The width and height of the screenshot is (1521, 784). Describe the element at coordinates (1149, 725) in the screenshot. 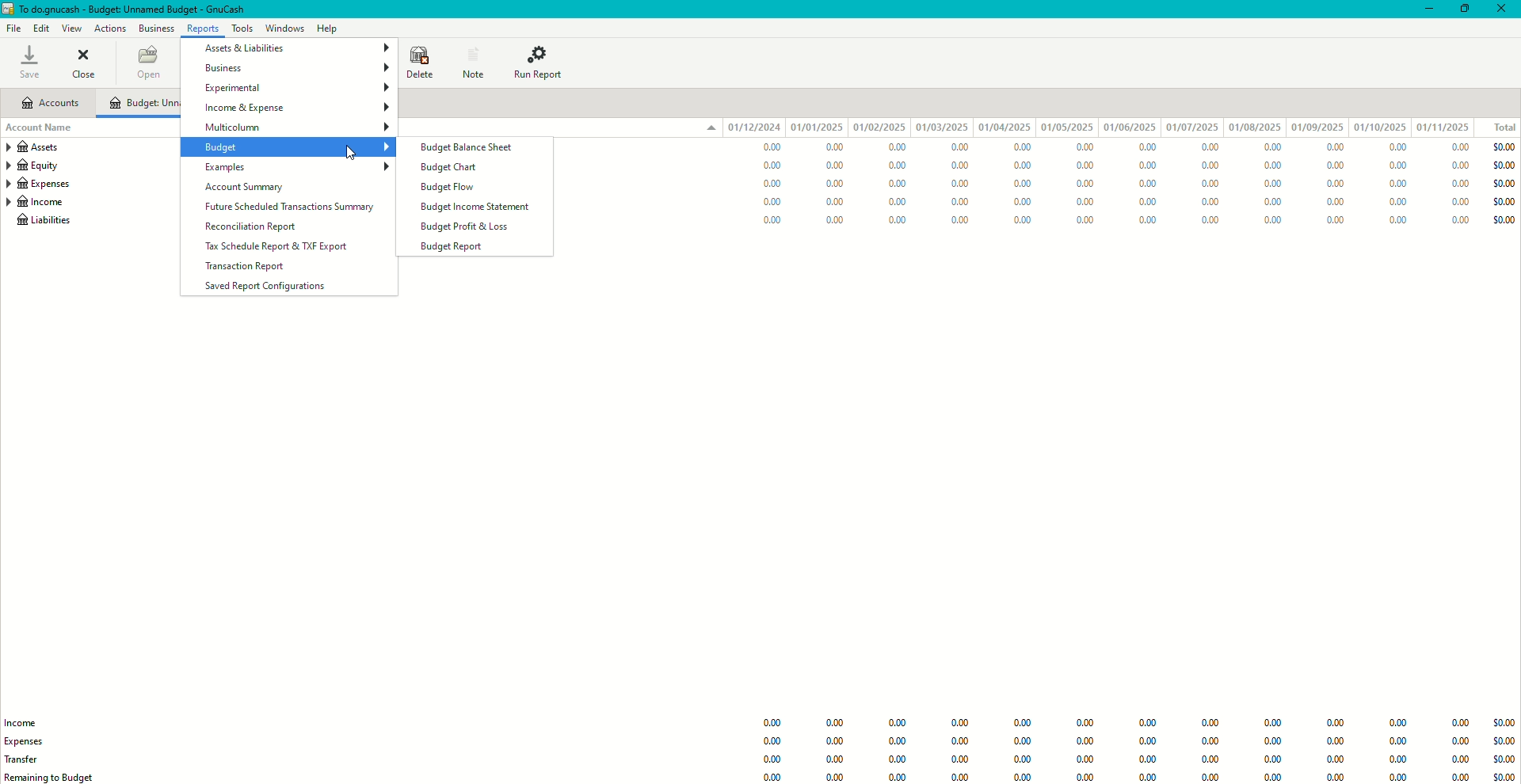

I see `0.00` at that location.